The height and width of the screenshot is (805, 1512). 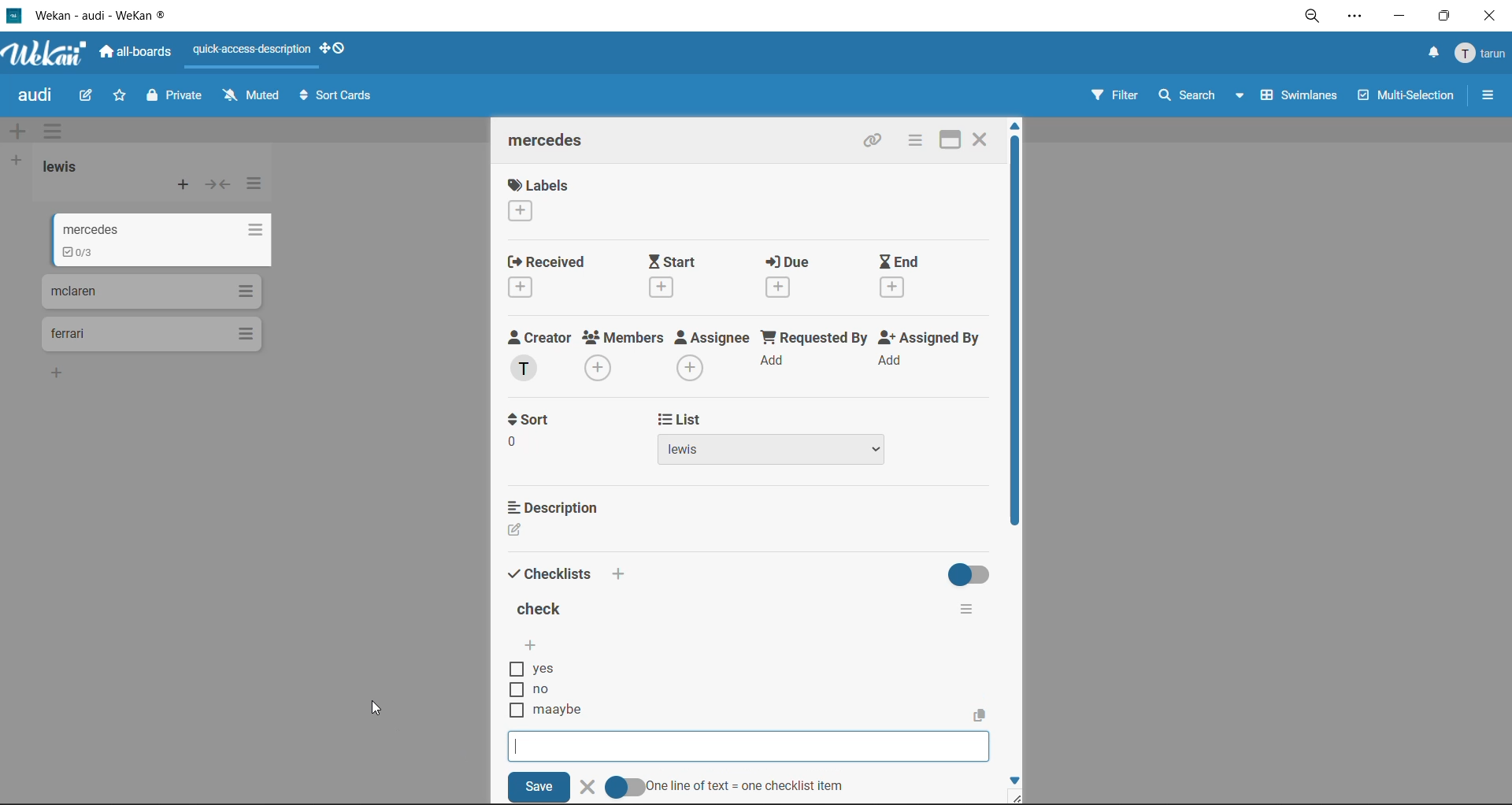 I want to click on title of checklist, so click(x=547, y=608).